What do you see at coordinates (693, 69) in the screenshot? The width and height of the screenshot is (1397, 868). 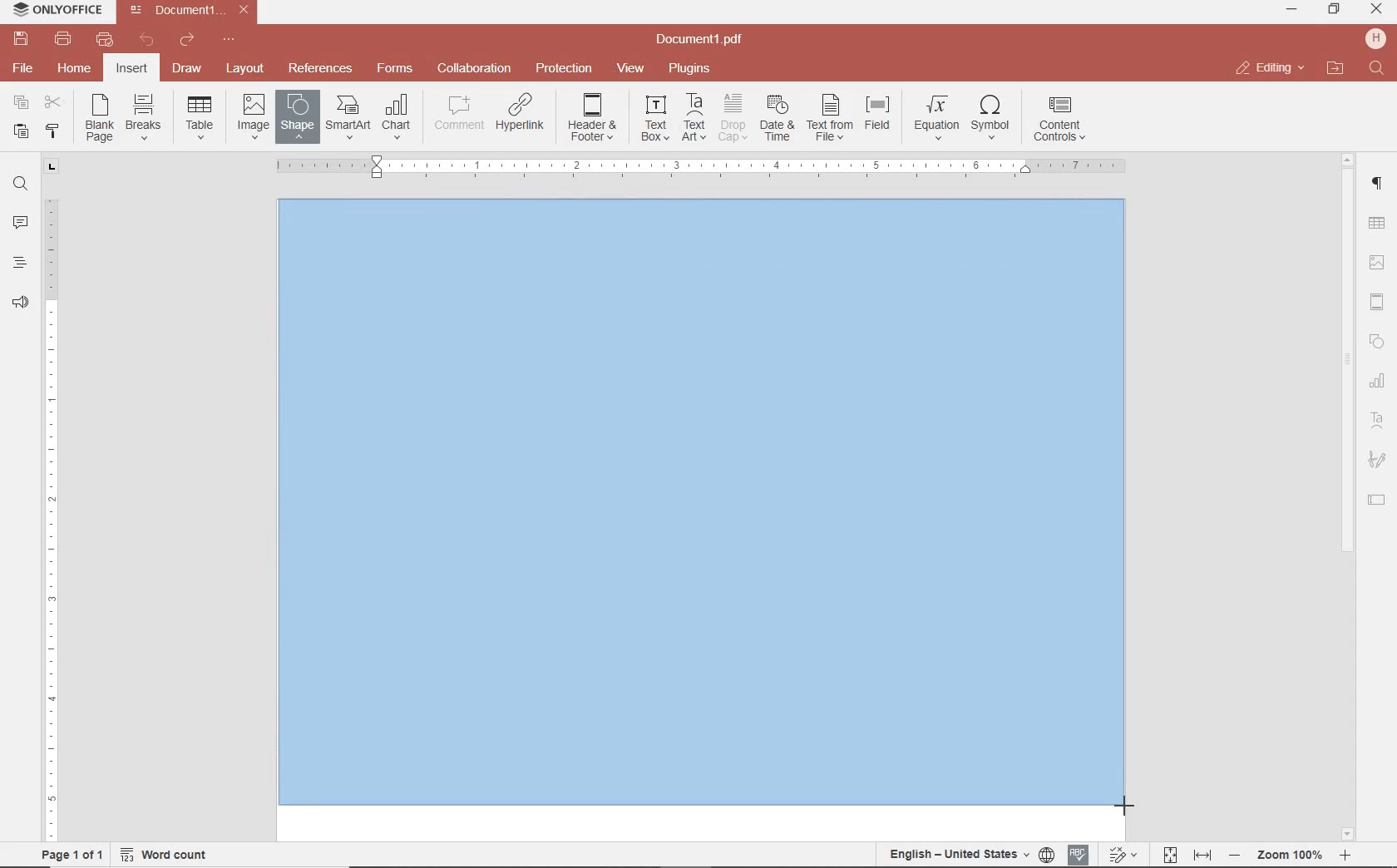 I see `plugins` at bounding box center [693, 69].